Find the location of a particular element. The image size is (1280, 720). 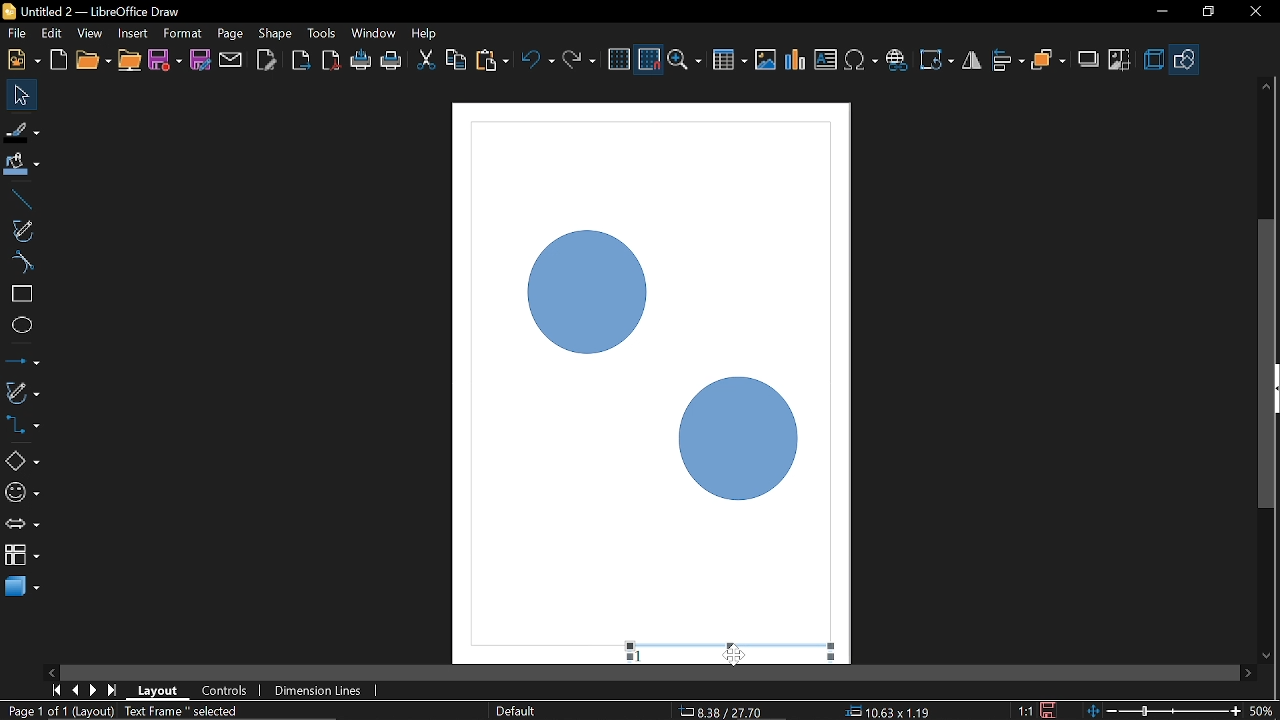

Attach is located at coordinates (232, 59).